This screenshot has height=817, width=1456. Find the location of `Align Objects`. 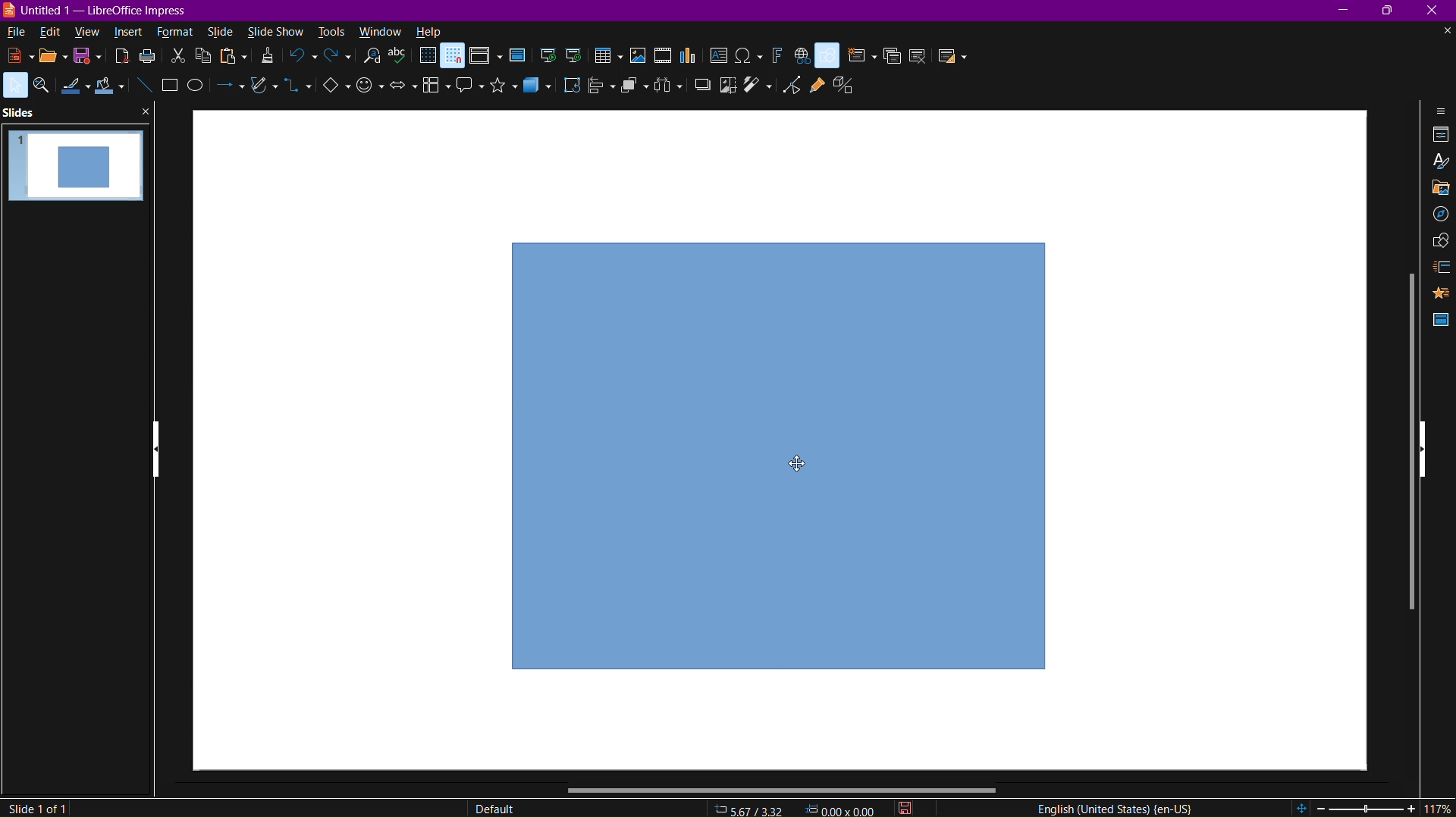

Align Objects is located at coordinates (598, 91).